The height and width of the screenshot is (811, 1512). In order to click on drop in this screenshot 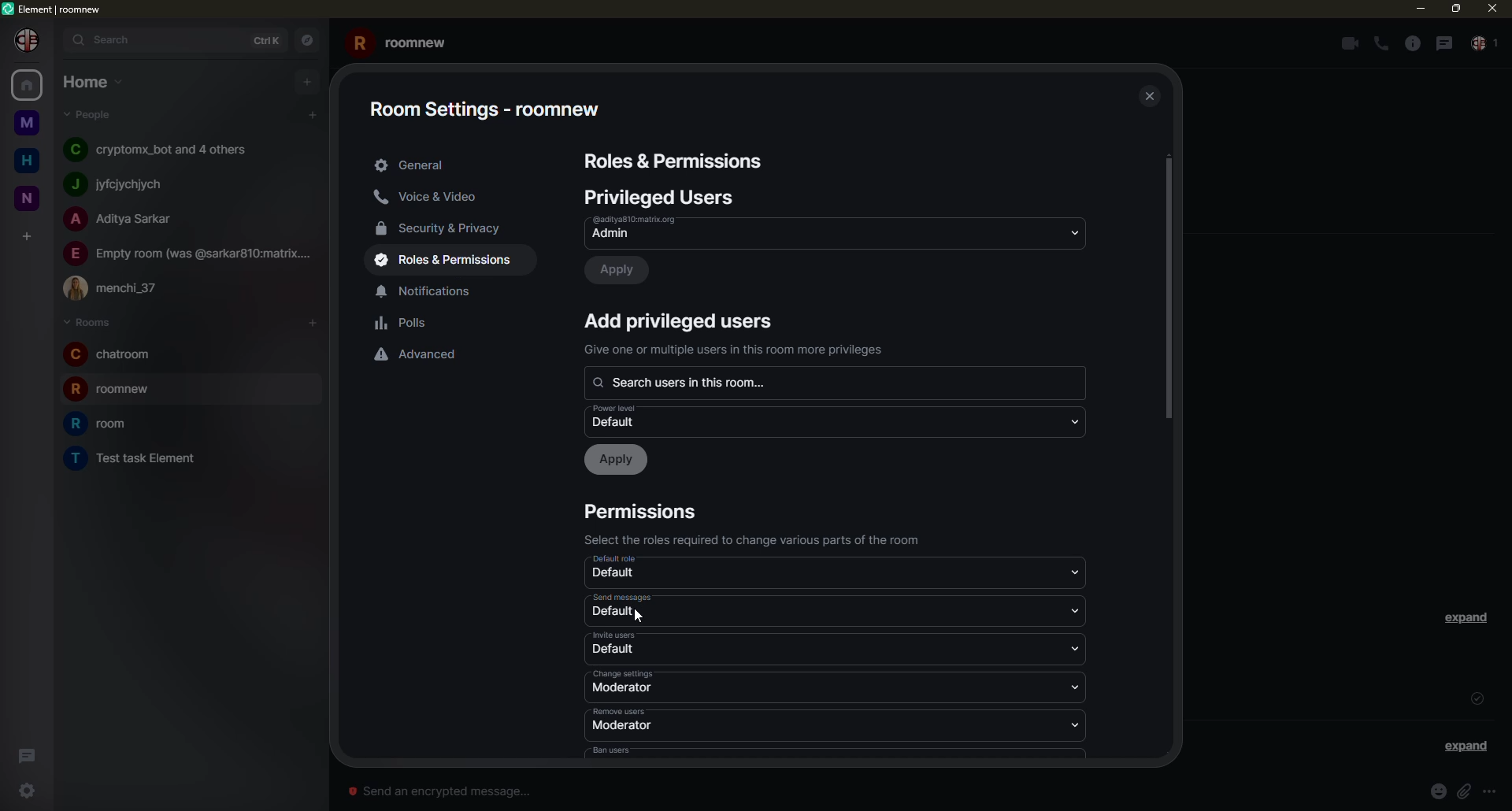, I will do `click(1075, 688)`.